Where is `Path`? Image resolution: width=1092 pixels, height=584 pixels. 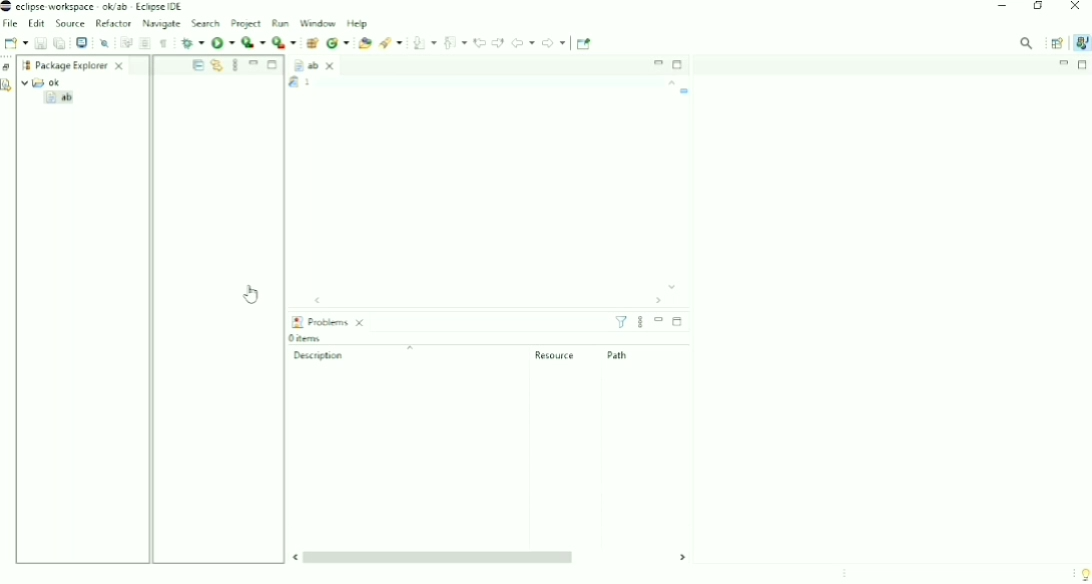 Path is located at coordinates (619, 355).